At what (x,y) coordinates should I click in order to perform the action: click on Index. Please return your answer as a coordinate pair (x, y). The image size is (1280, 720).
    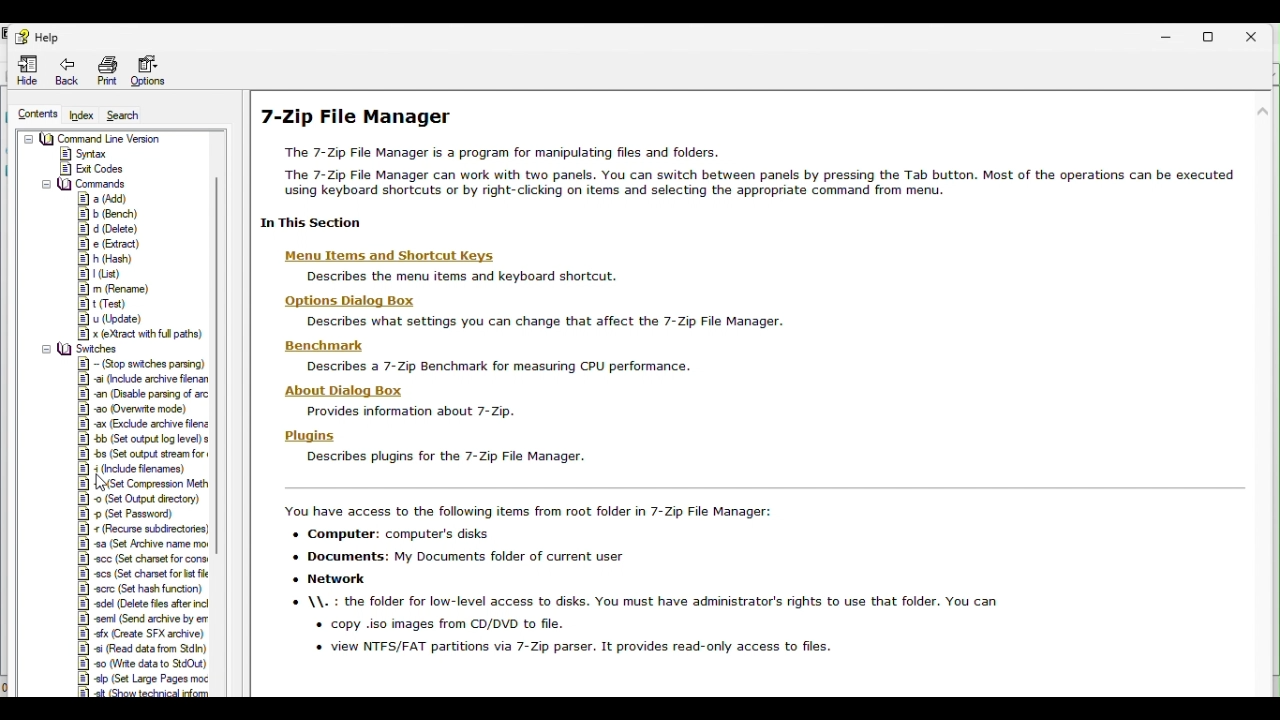
    Looking at the image, I should click on (83, 111).